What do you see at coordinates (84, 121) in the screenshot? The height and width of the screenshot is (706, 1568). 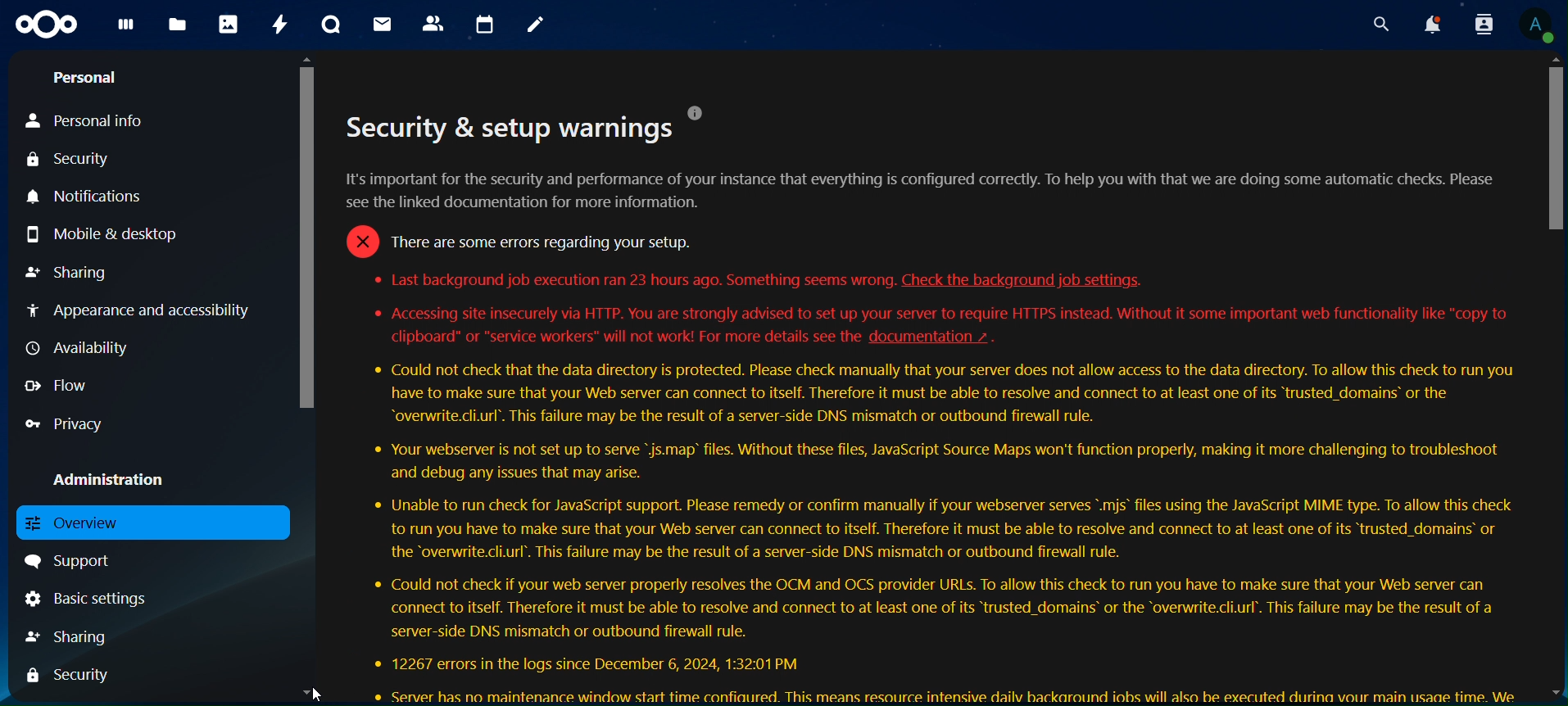 I see `personal info` at bounding box center [84, 121].